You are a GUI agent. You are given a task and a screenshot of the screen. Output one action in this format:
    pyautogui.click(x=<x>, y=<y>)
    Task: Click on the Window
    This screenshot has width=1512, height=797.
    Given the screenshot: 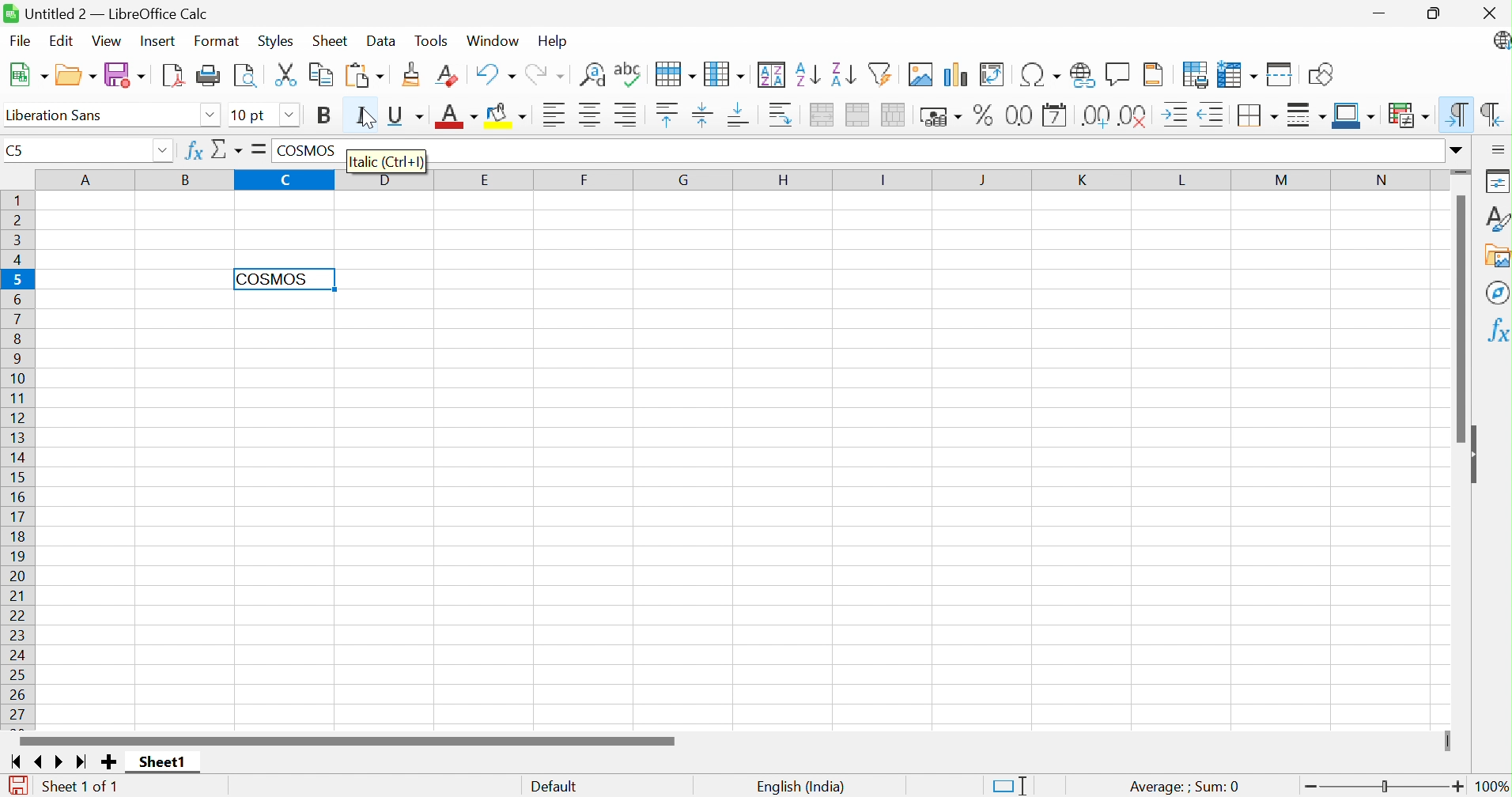 What is the action you would take?
    pyautogui.click(x=494, y=40)
    